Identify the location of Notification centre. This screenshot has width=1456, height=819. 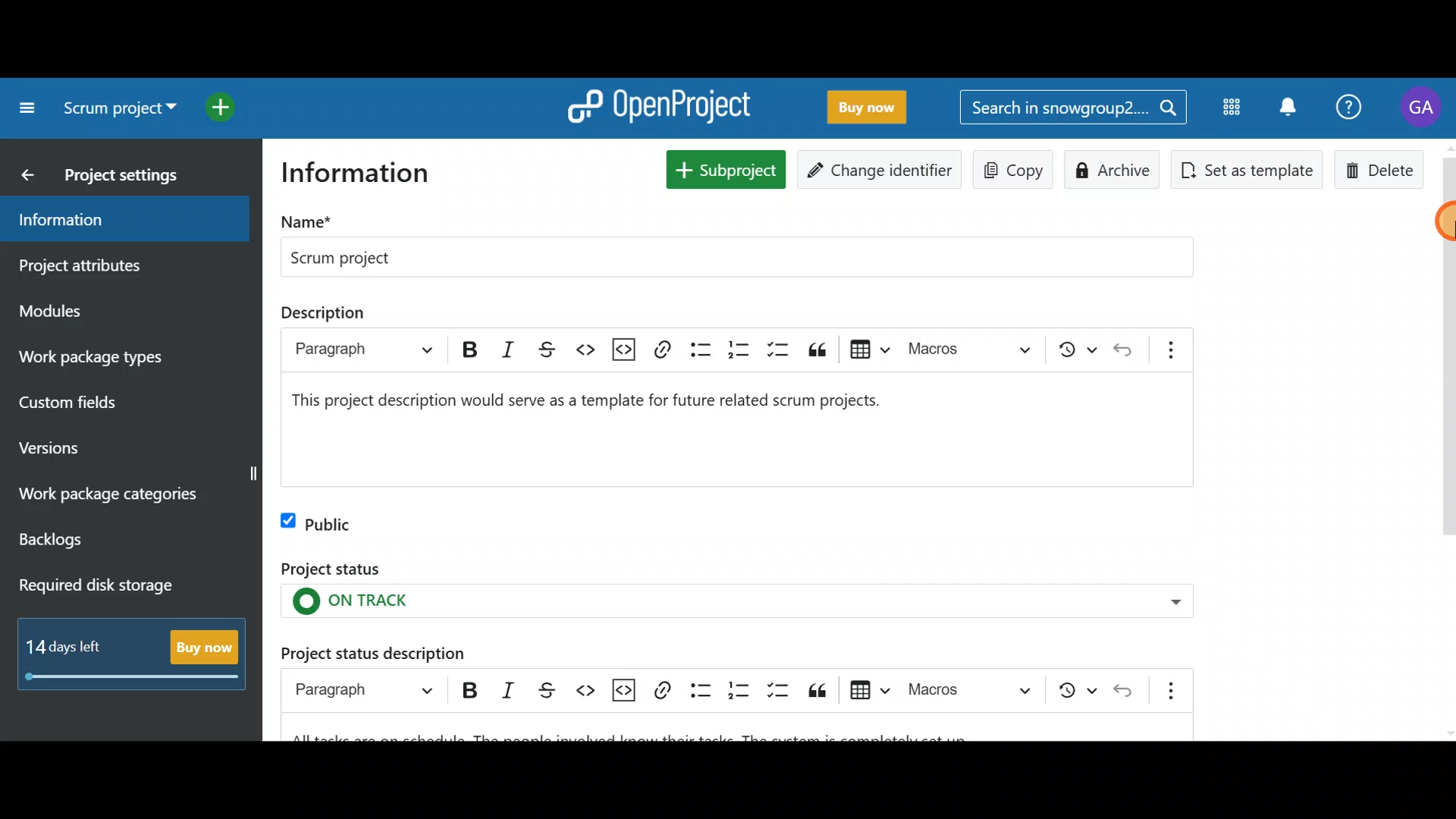
(1284, 106).